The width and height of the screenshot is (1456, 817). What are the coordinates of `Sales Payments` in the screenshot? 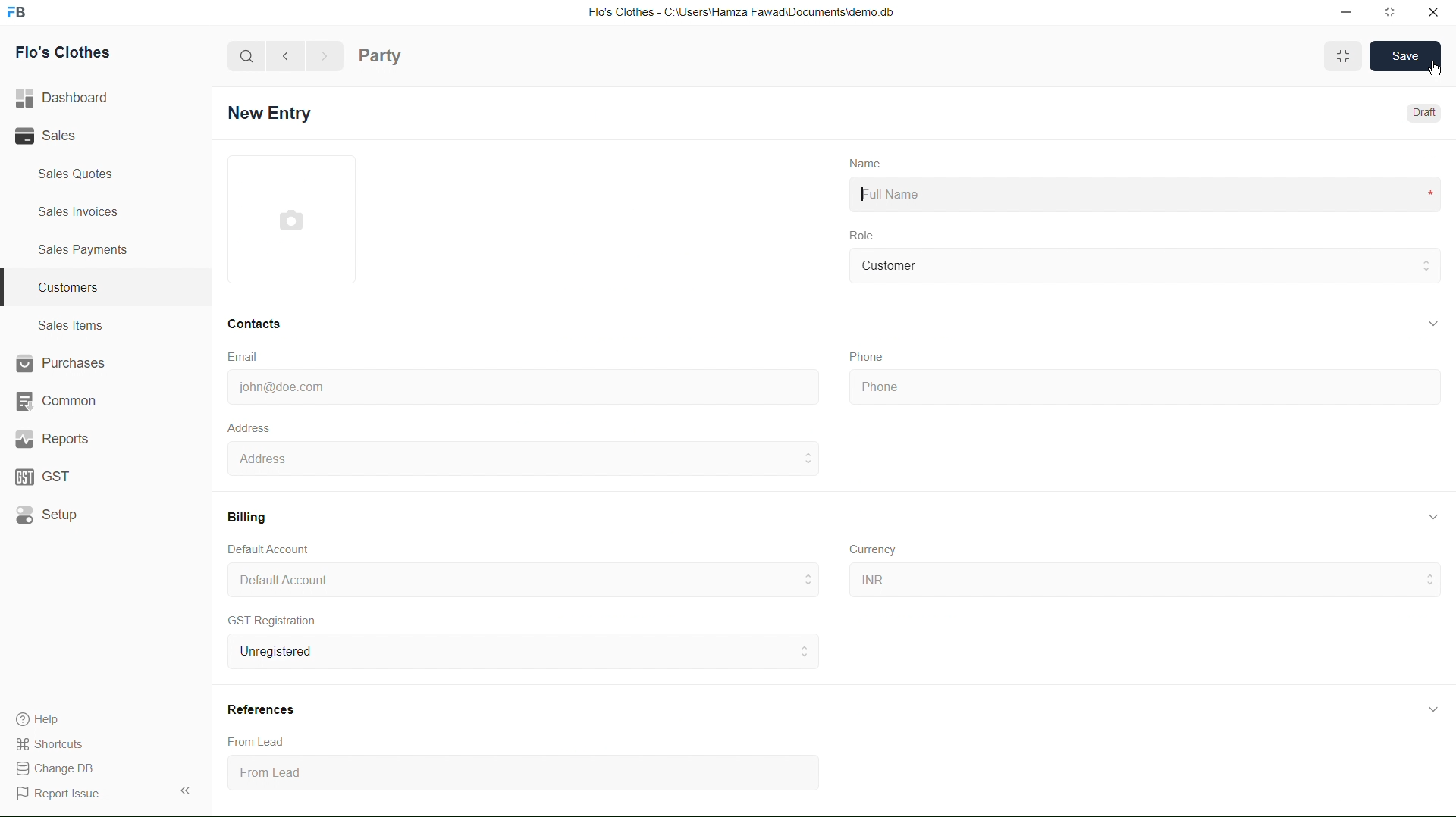 It's located at (86, 251).